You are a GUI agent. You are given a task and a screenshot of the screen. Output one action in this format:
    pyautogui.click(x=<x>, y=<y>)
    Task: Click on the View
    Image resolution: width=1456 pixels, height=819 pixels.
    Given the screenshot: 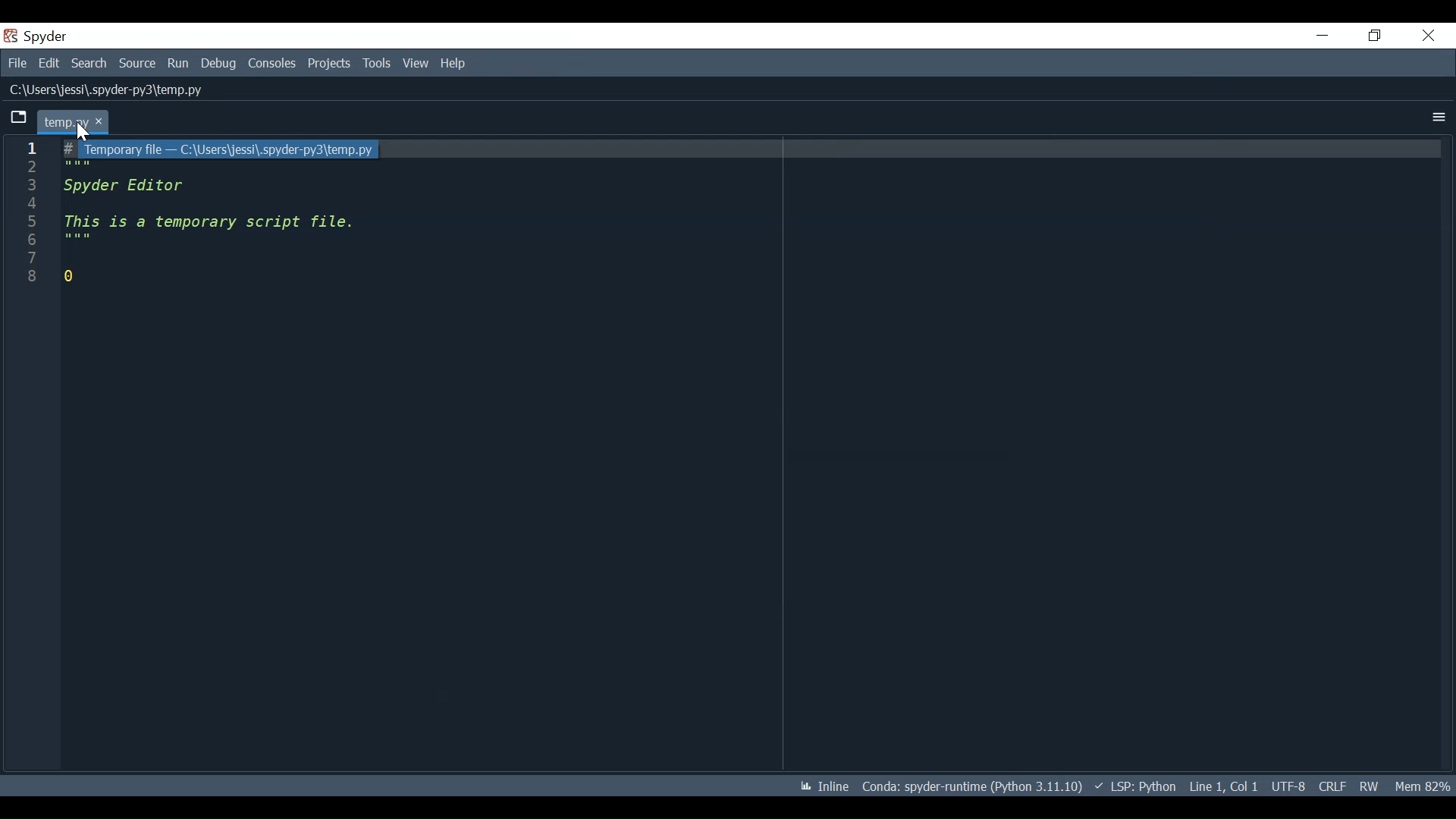 What is the action you would take?
    pyautogui.click(x=416, y=64)
    